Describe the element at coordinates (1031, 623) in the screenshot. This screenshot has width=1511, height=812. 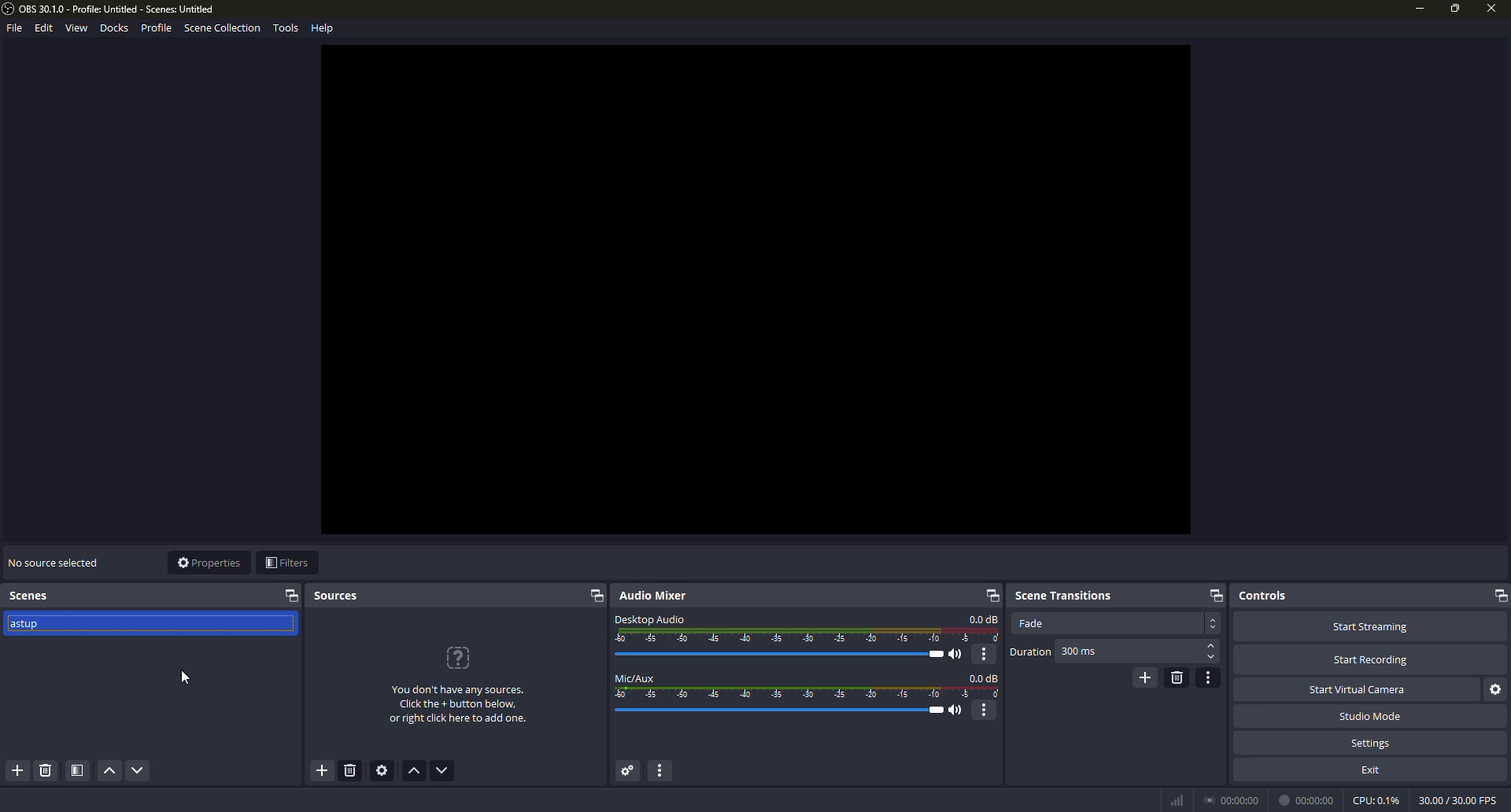
I see `fade` at that location.